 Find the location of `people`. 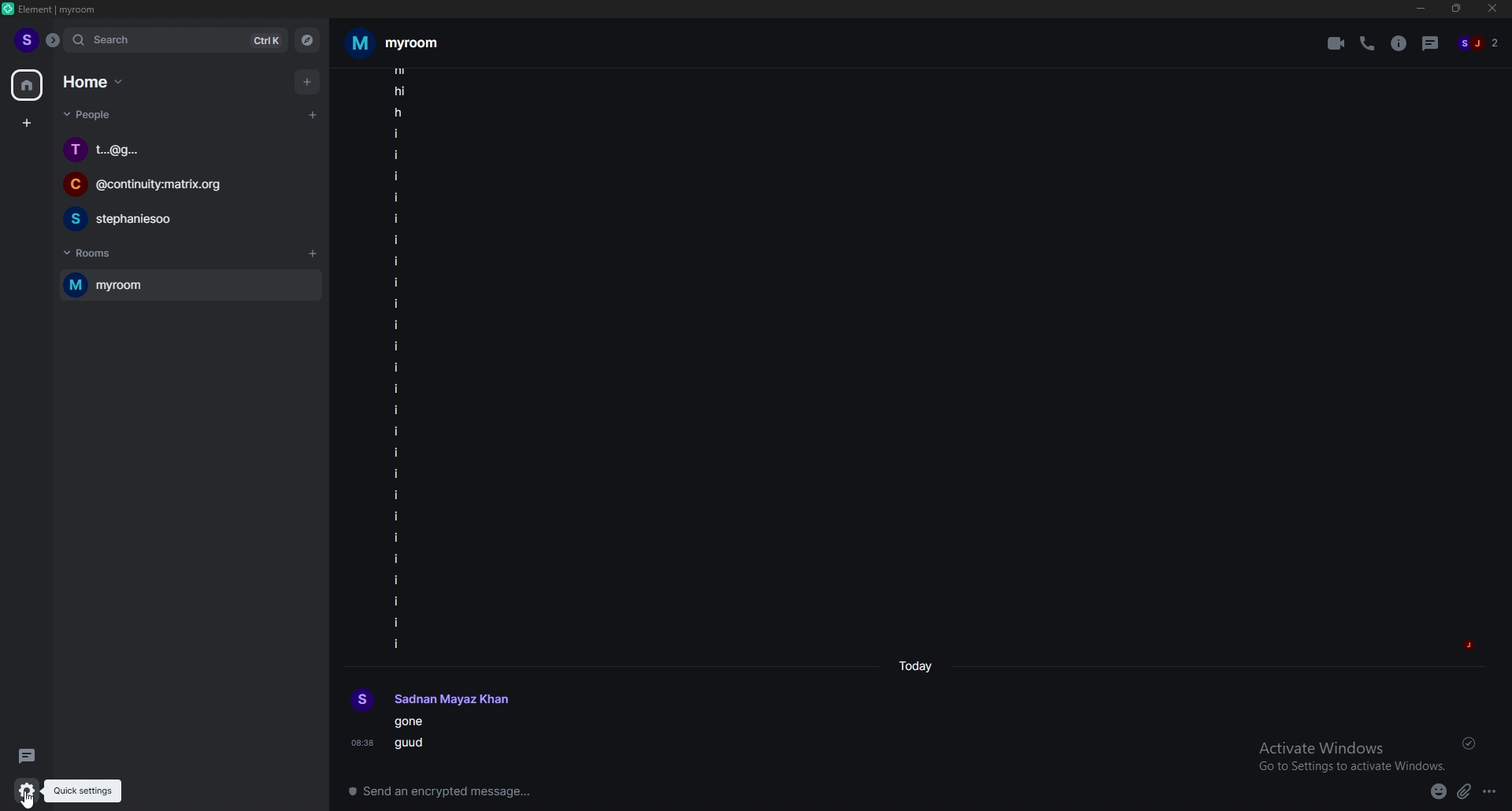

people is located at coordinates (99, 115).